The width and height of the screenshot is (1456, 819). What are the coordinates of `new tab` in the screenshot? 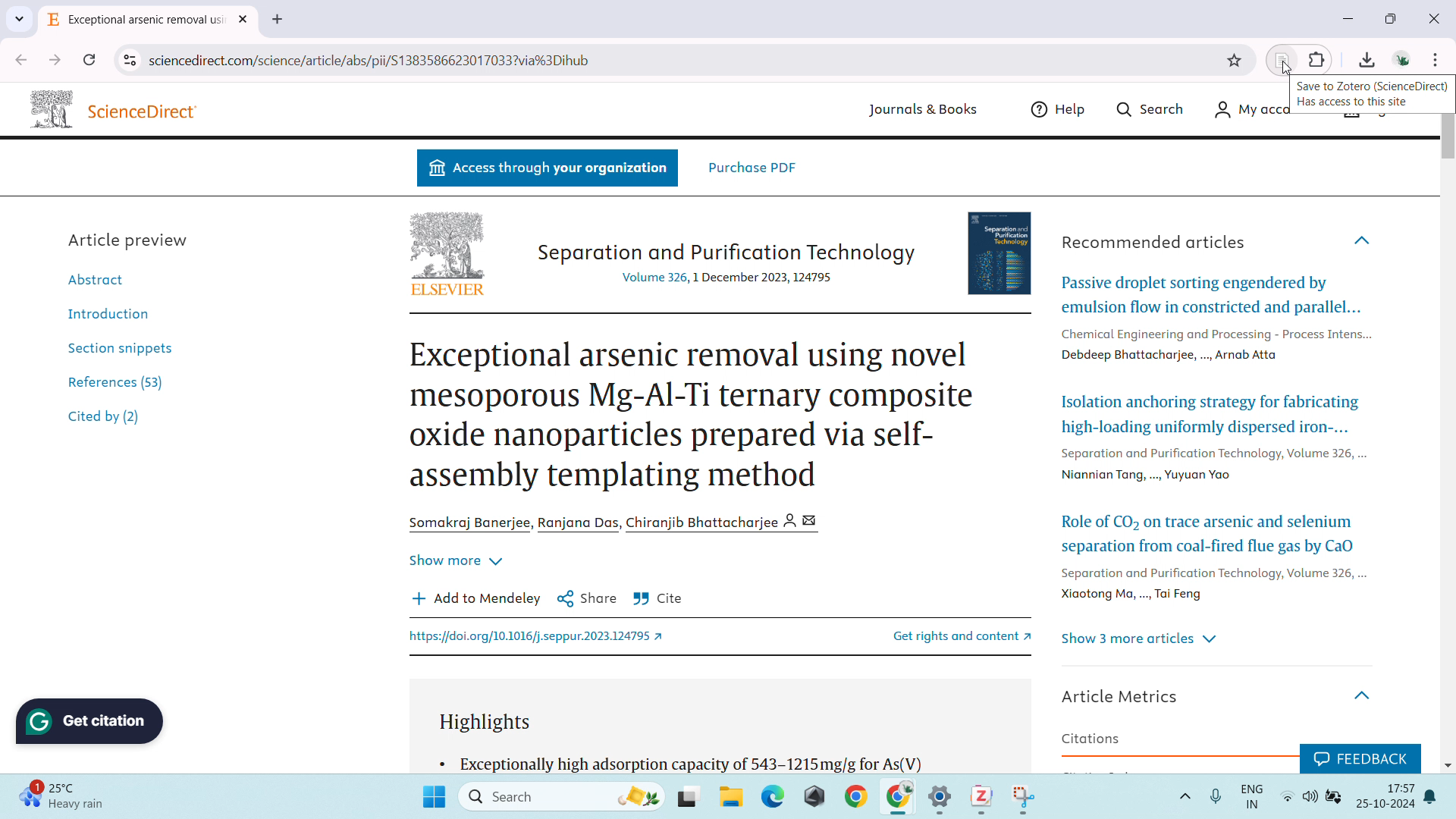 It's located at (278, 20).